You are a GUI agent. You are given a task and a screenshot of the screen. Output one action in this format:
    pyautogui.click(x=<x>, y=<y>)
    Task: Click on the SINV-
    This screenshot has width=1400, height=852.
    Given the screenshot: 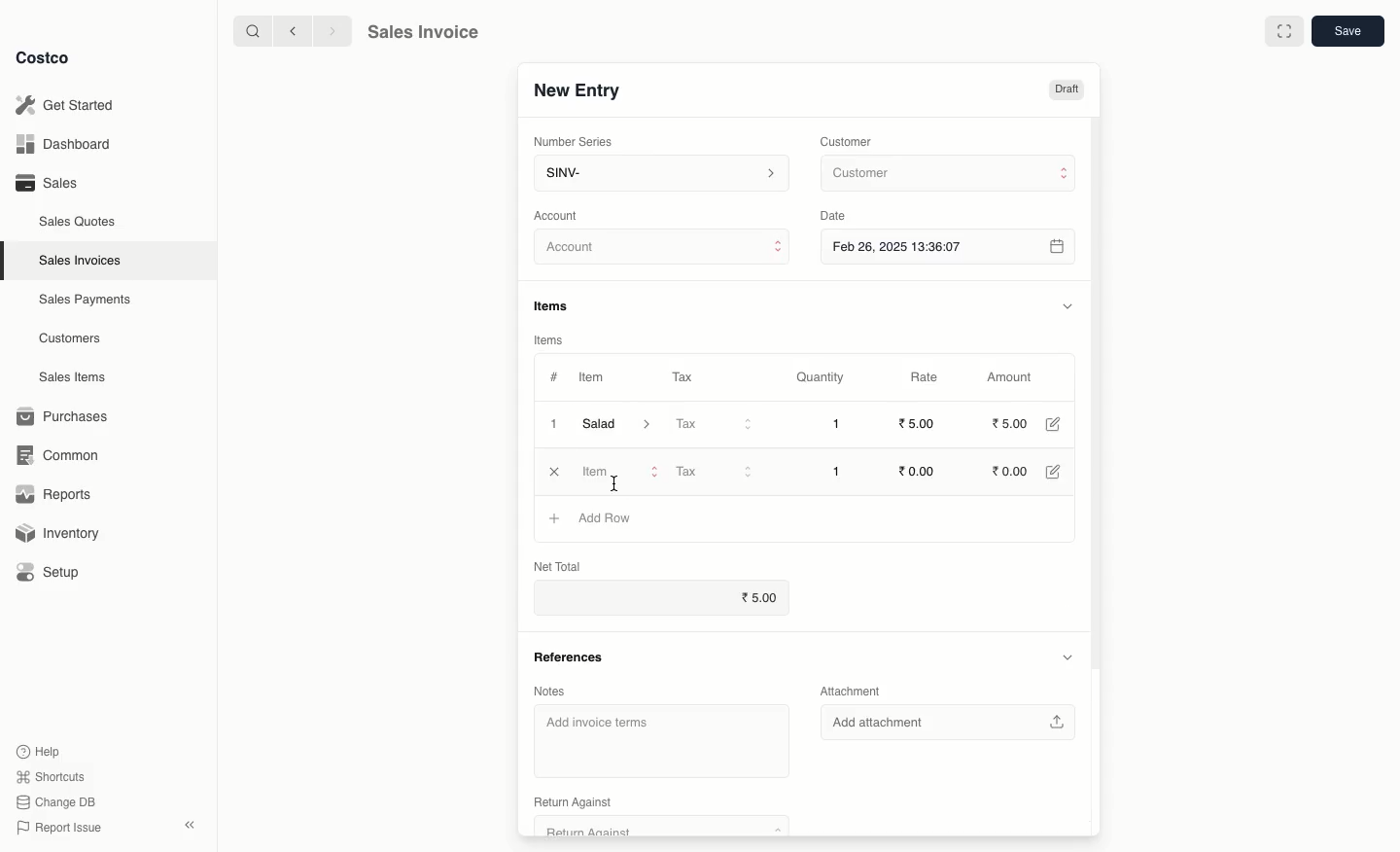 What is the action you would take?
    pyautogui.click(x=660, y=175)
    